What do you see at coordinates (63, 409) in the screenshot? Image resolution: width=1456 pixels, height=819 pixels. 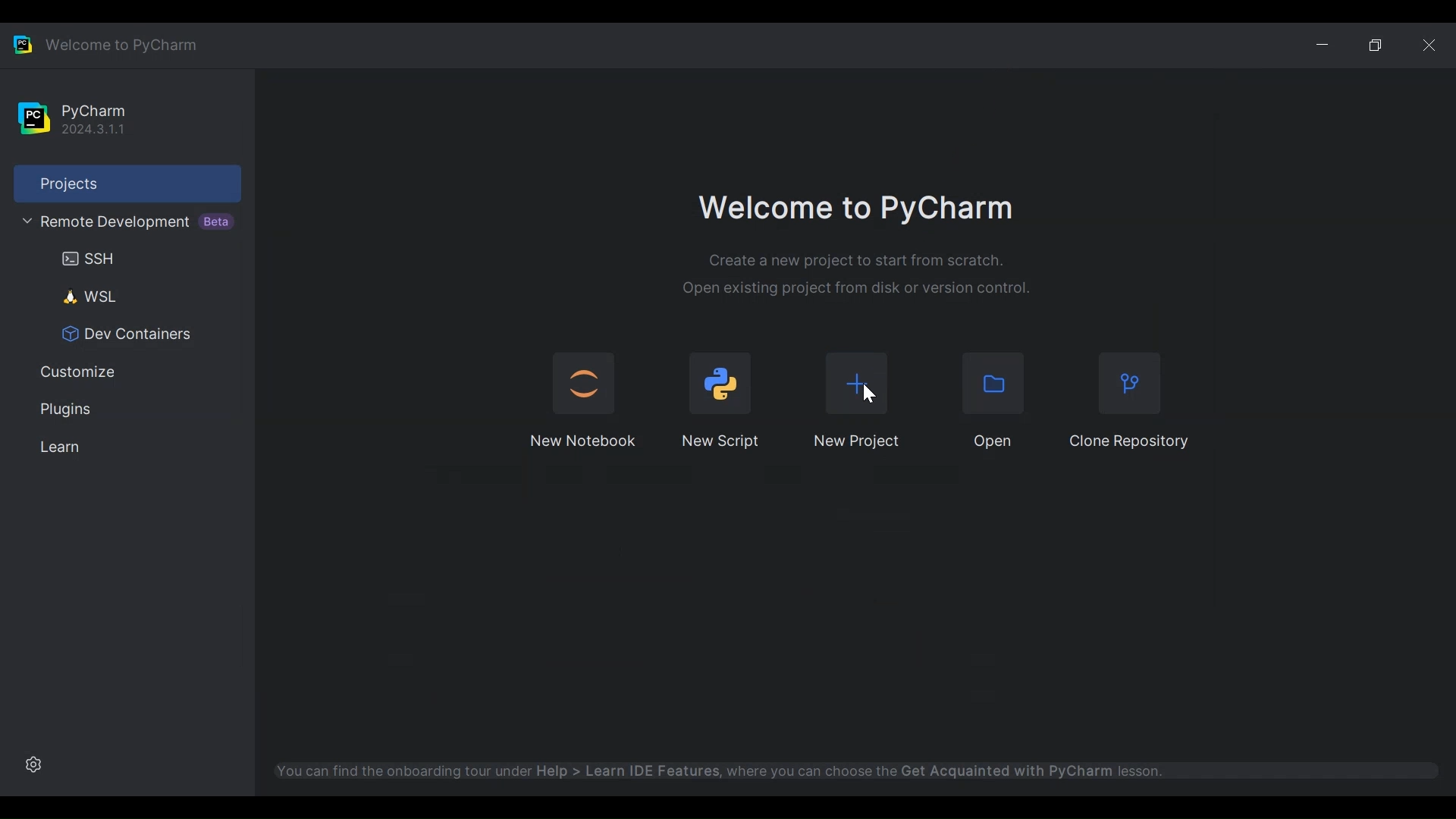 I see `Plugins` at bounding box center [63, 409].